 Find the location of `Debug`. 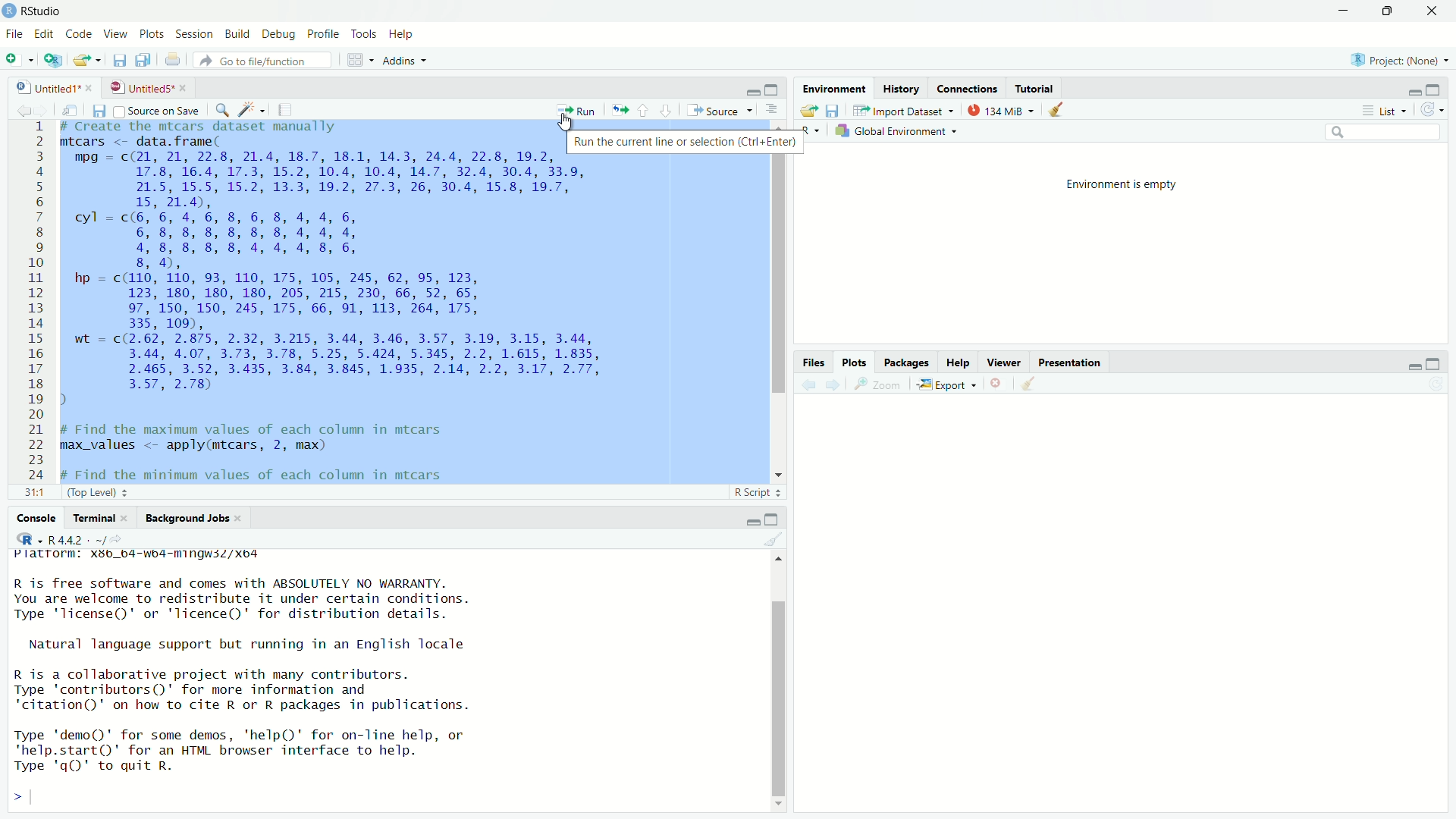

Debug is located at coordinates (278, 33).